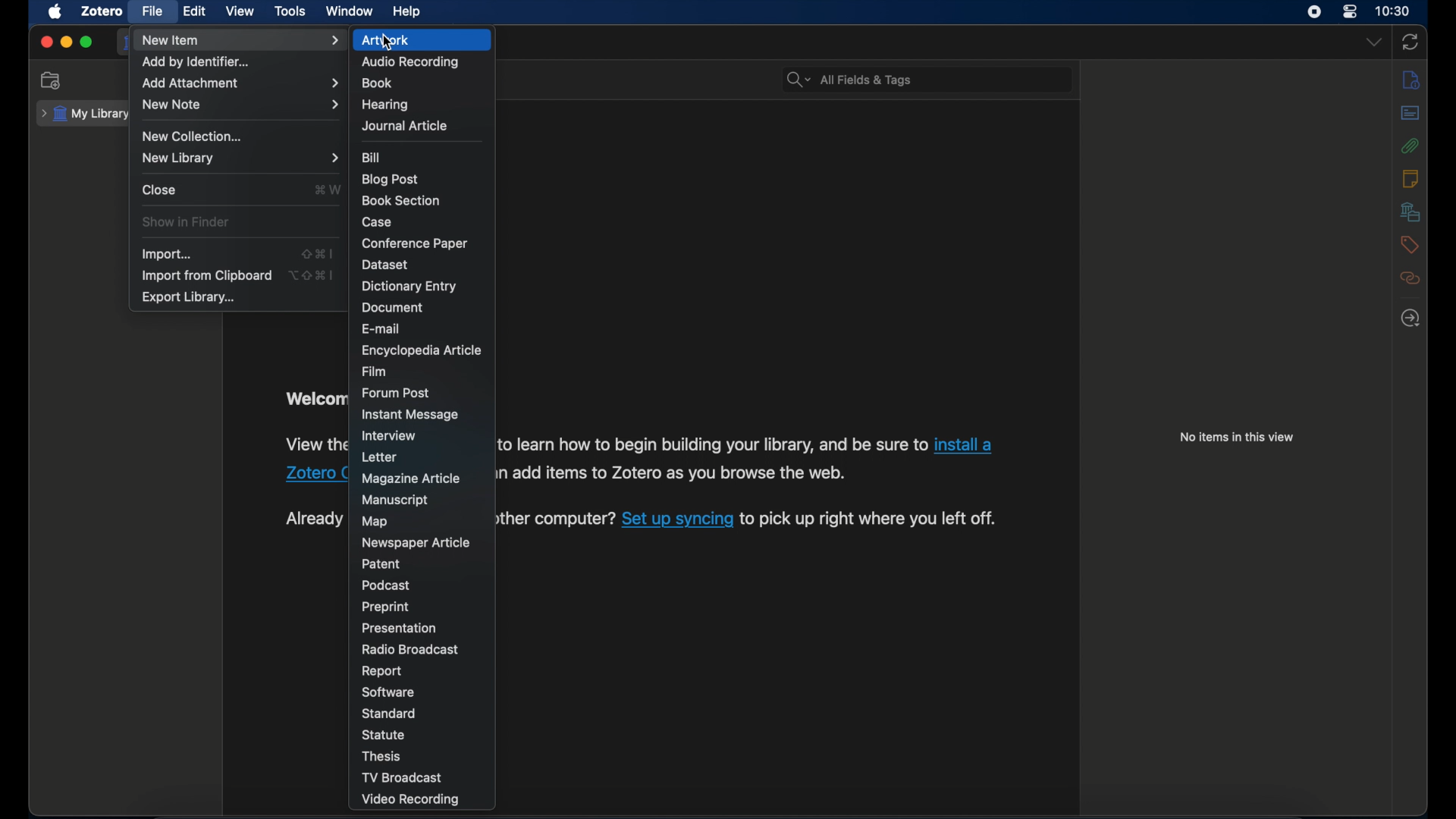 This screenshot has height=819, width=1456. Describe the element at coordinates (152, 11) in the screenshot. I see `file` at that location.